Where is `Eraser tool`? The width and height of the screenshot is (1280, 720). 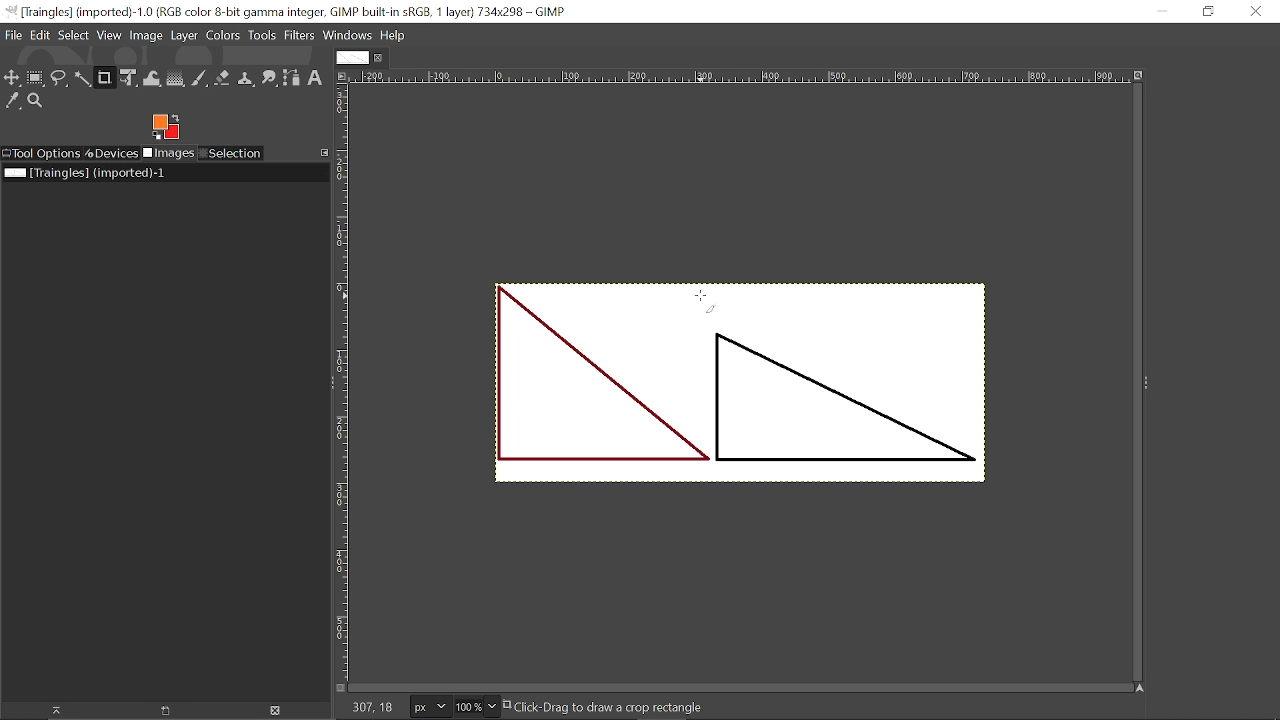
Eraser tool is located at coordinates (222, 78).